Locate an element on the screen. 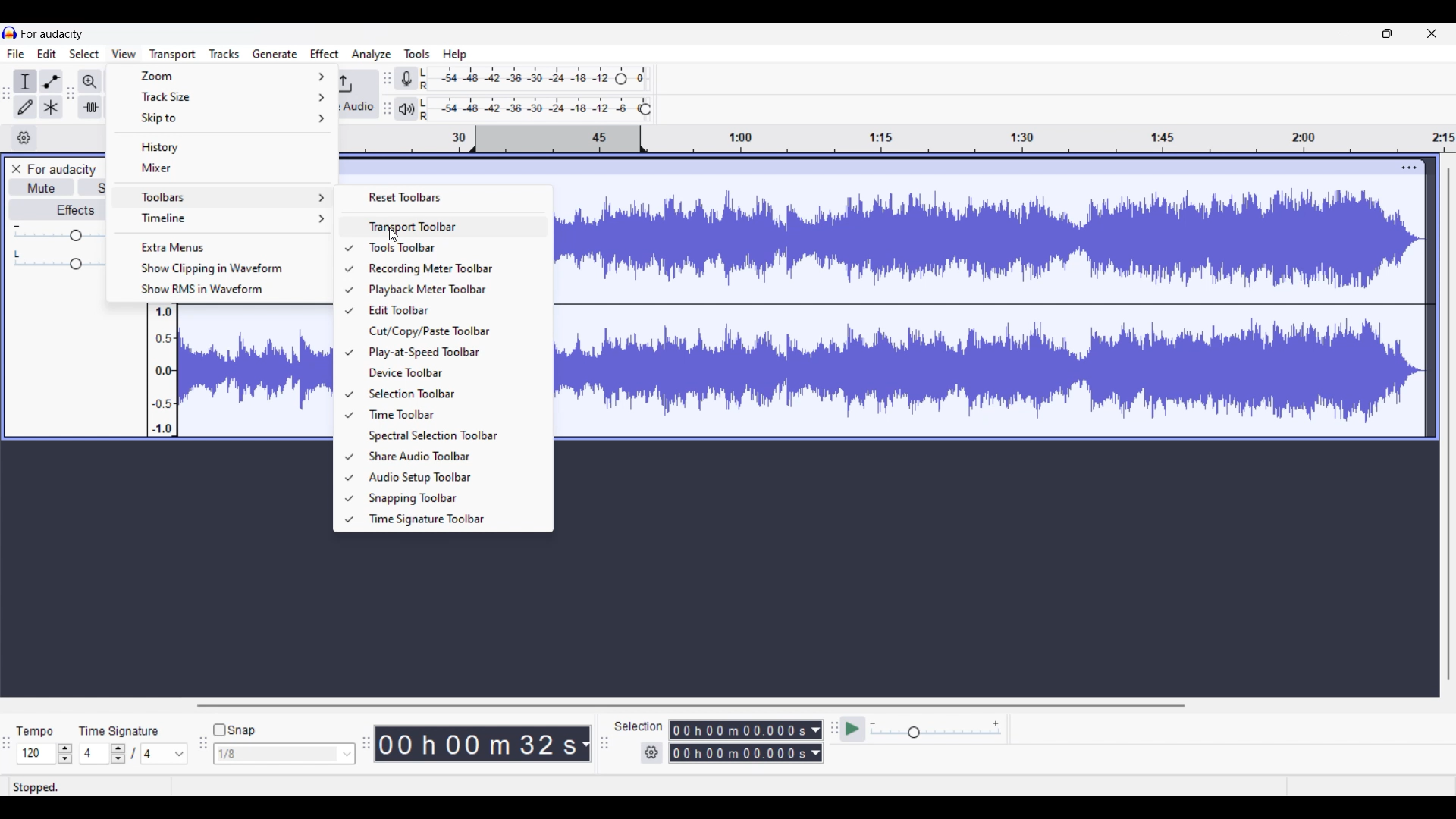 The width and height of the screenshot is (1456, 819). Playback speed scale is located at coordinates (935, 729).